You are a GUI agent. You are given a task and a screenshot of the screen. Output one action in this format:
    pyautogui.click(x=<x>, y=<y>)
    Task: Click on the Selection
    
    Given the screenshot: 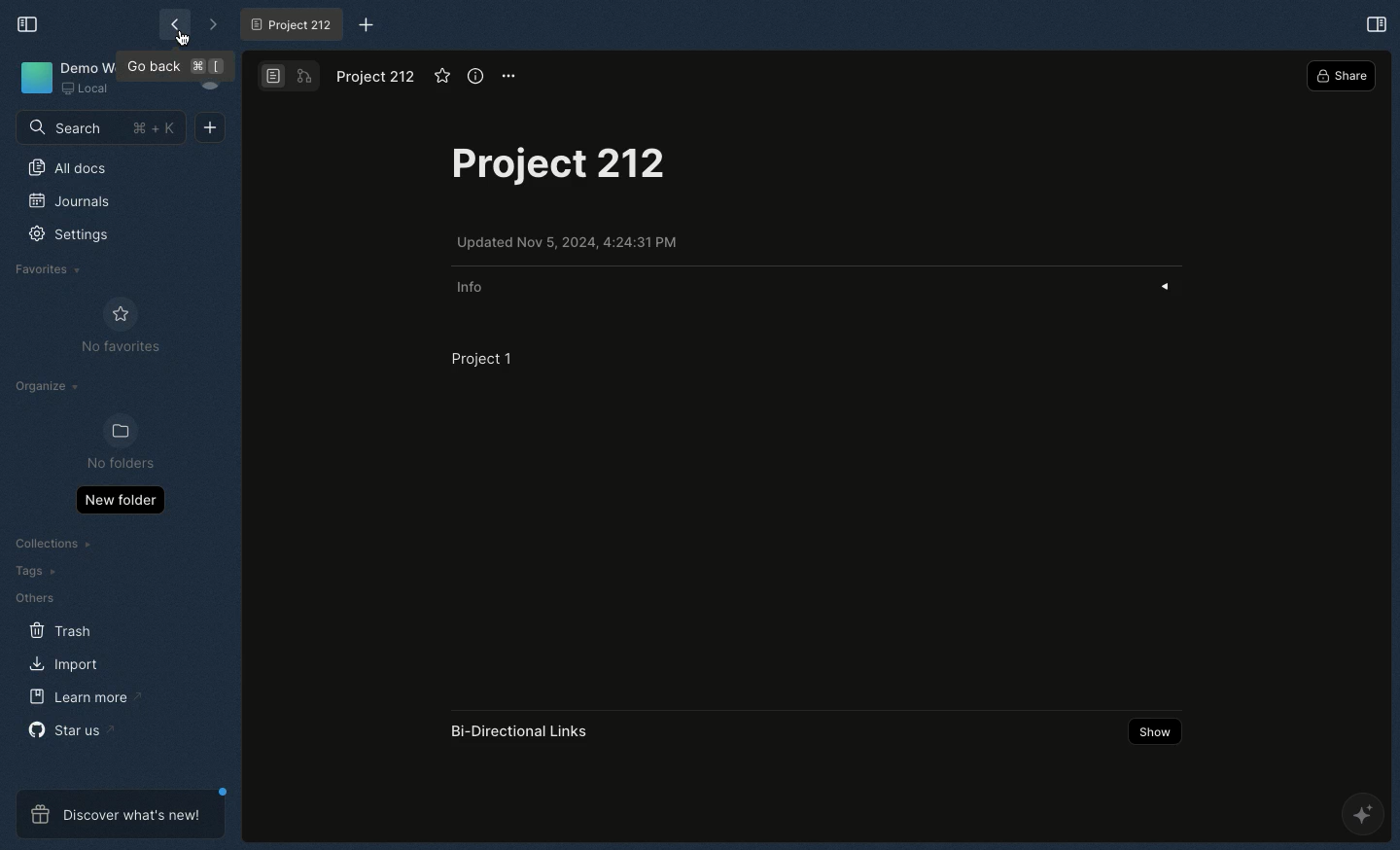 What is the action you would take?
    pyautogui.click(x=1376, y=24)
    